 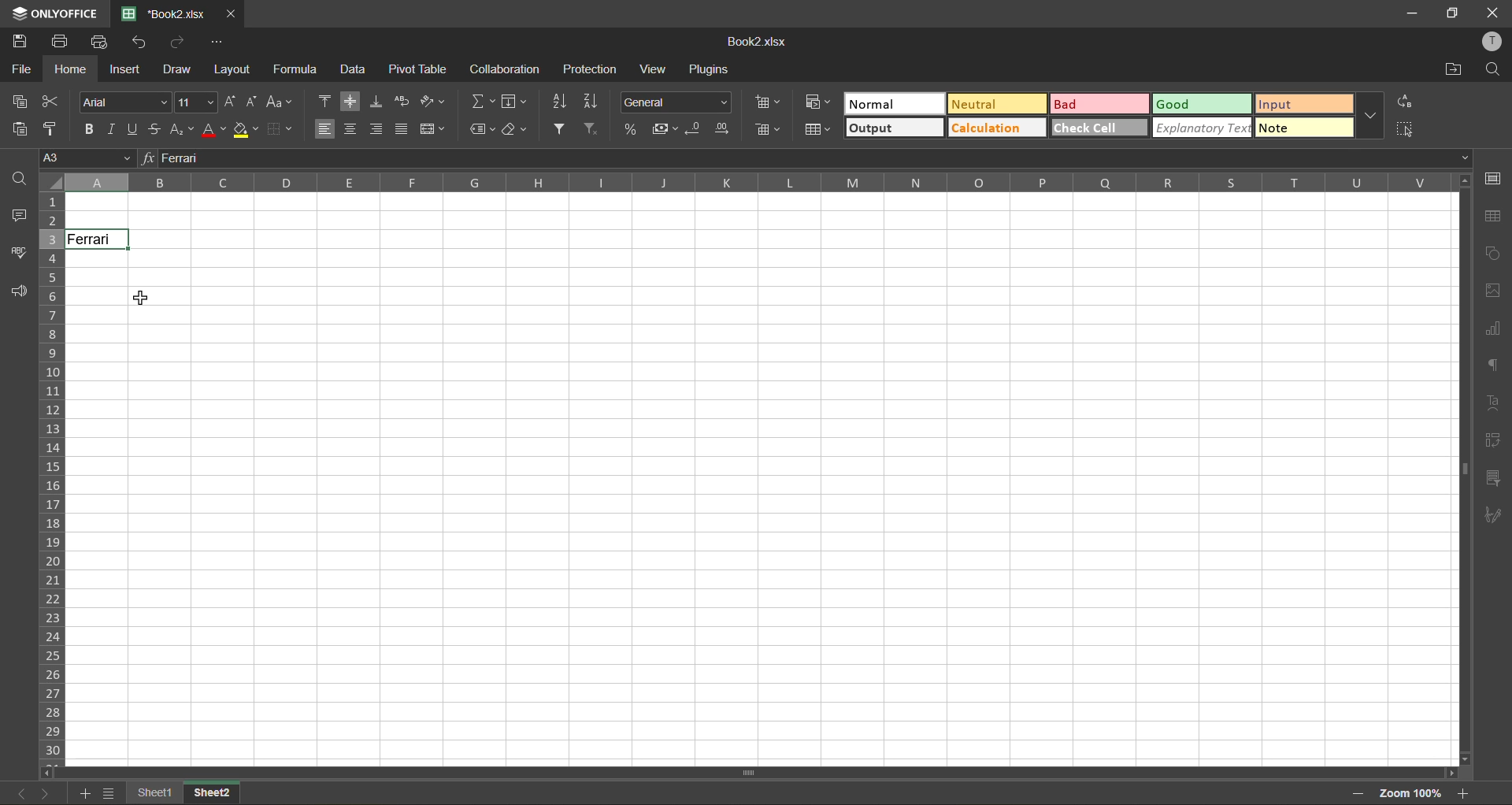 I want to click on neutral, so click(x=996, y=103).